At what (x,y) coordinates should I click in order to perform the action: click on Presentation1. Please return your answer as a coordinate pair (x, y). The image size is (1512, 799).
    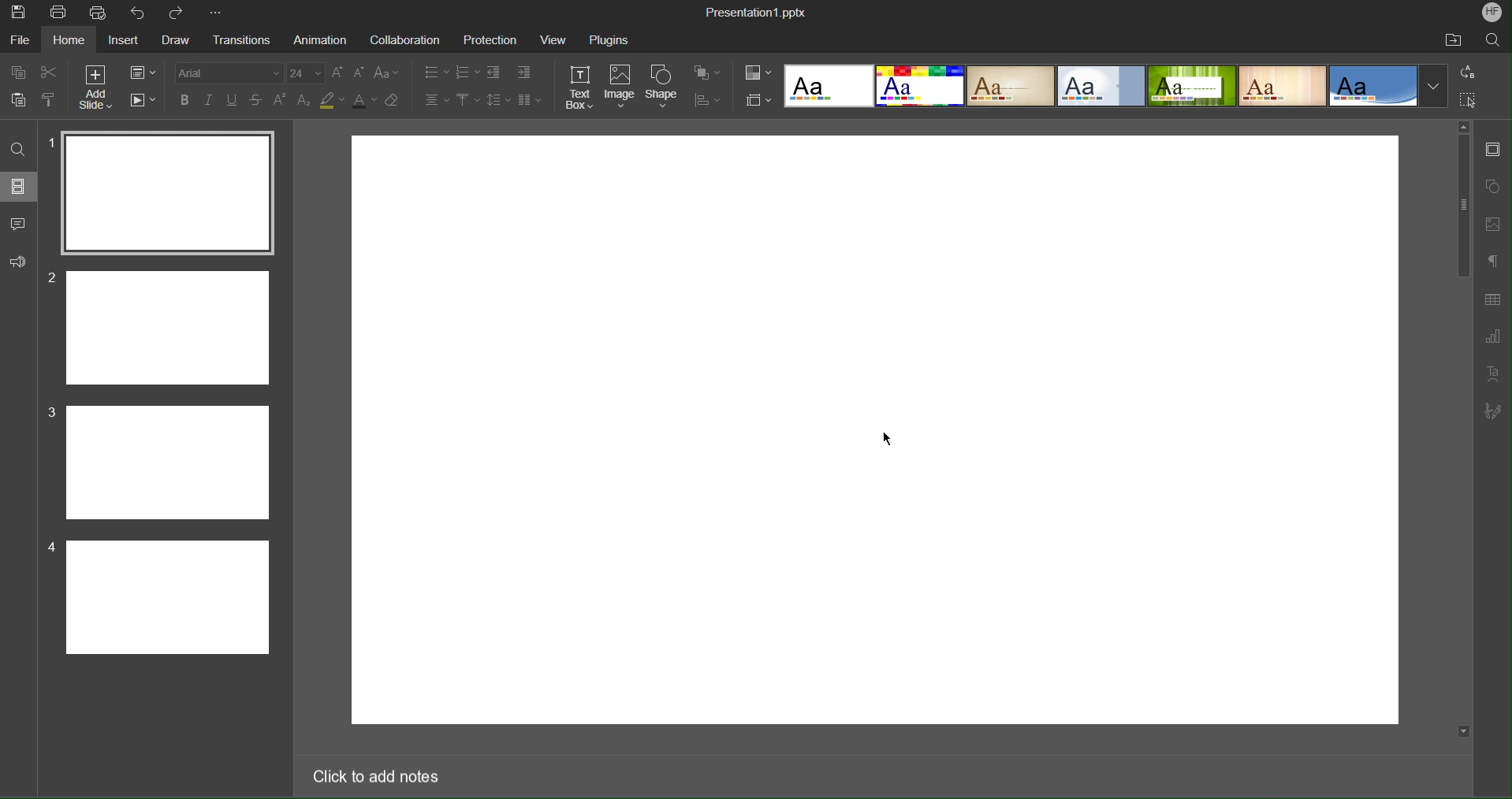
    Looking at the image, I should click on (755, 9).